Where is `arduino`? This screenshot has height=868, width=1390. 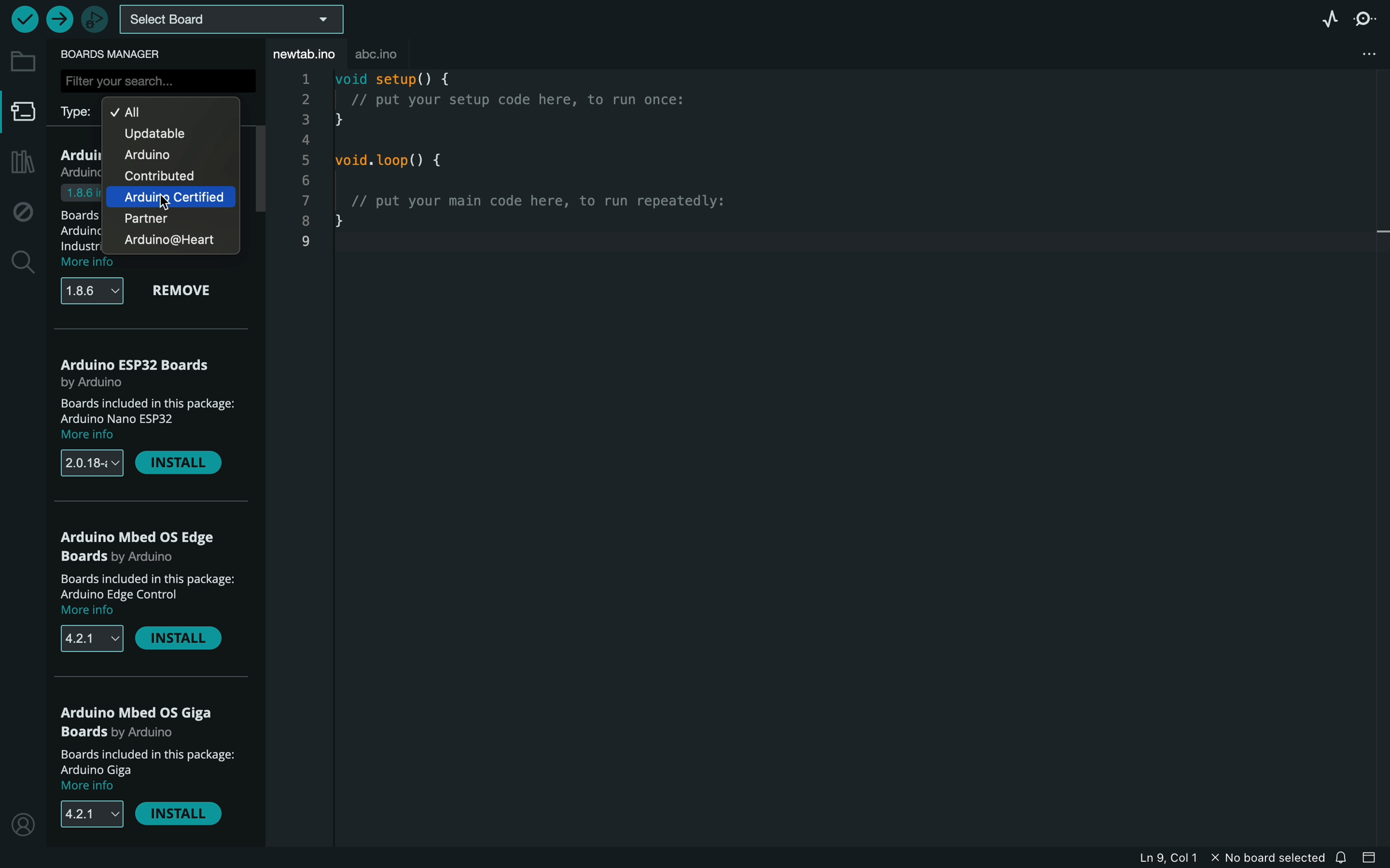
arduino is located at coordinates (177, 241).